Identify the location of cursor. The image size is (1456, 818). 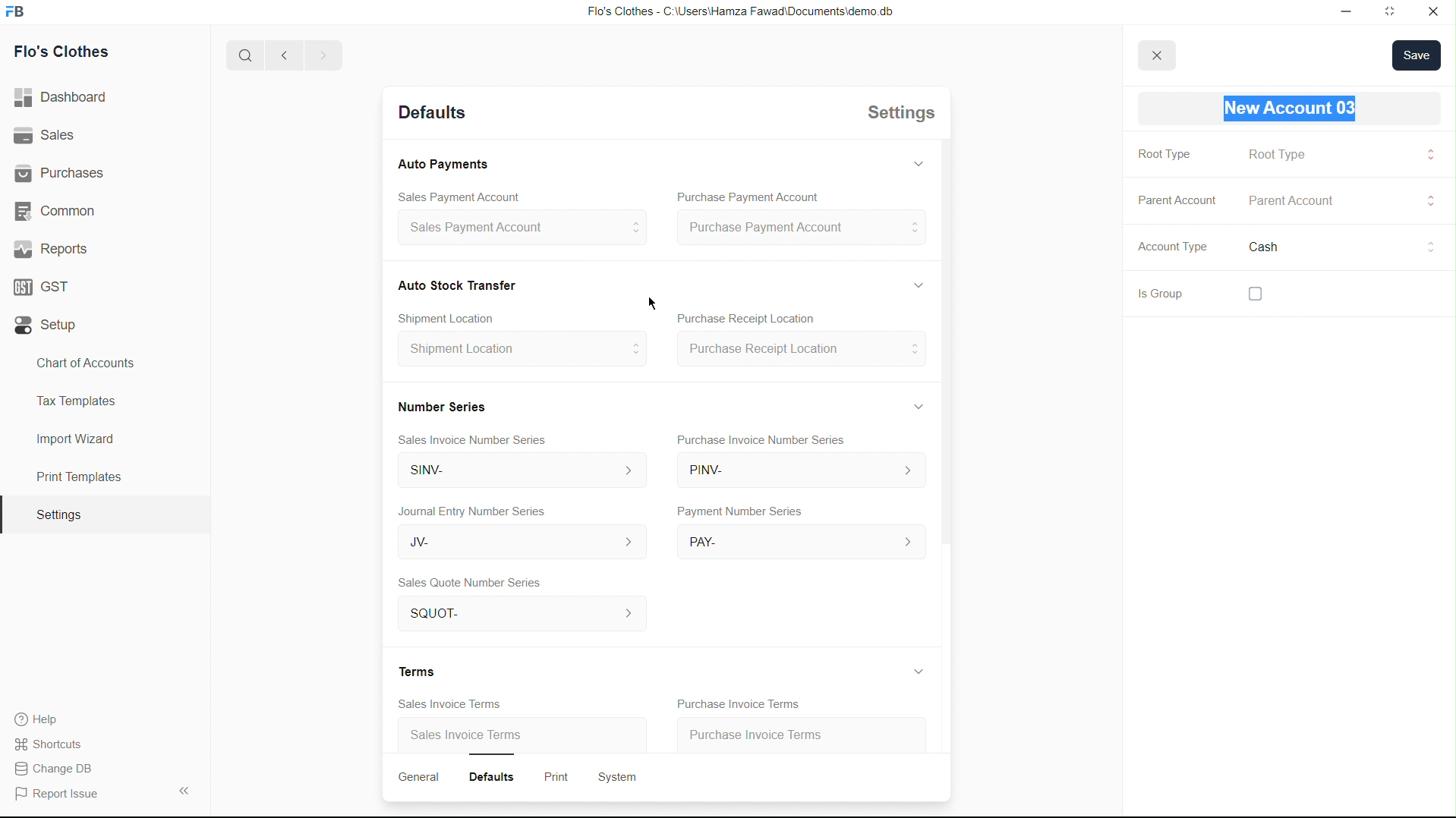
(653, 300).